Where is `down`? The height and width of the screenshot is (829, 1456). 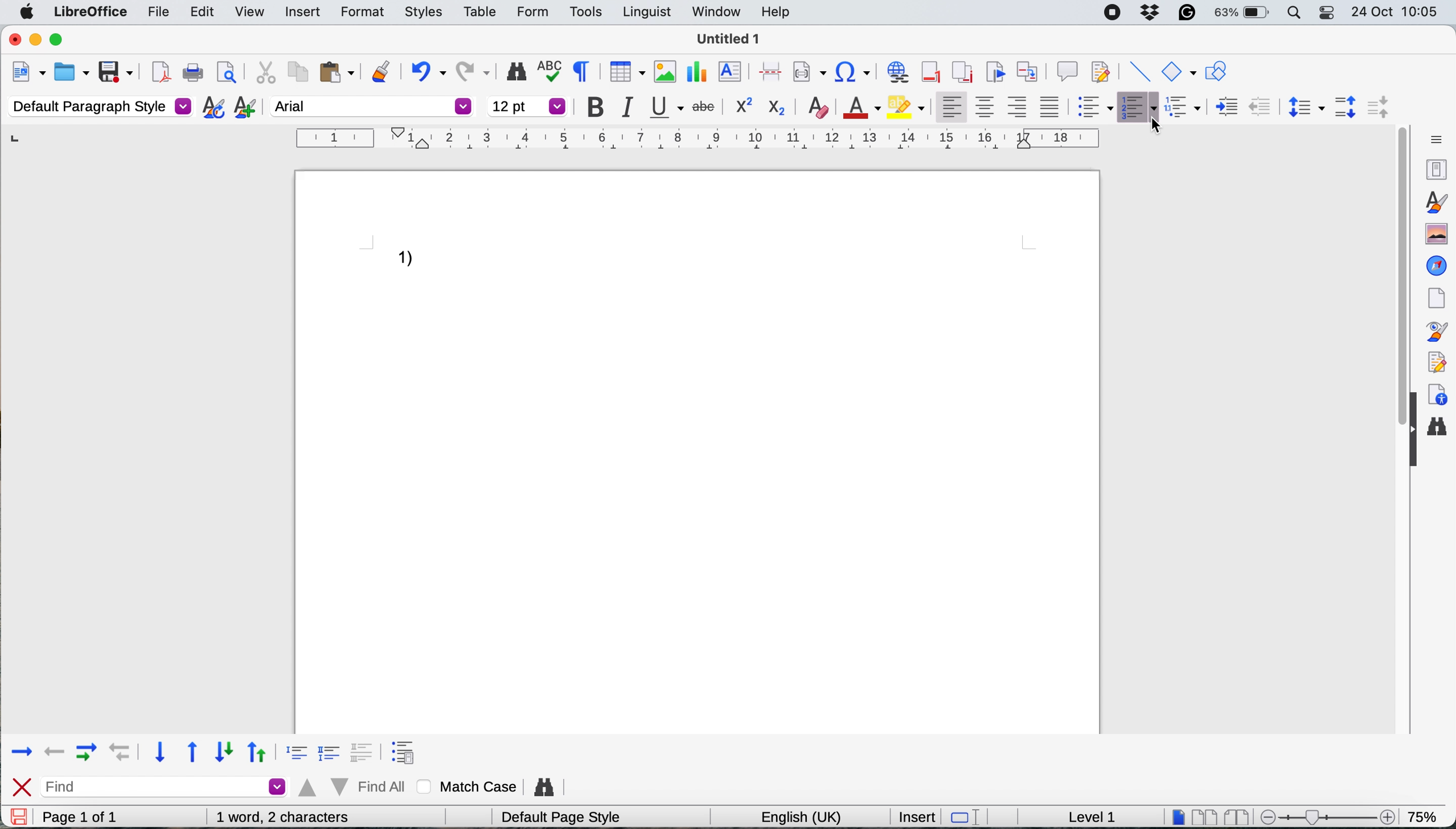 down is located at coordinates (224, 752).